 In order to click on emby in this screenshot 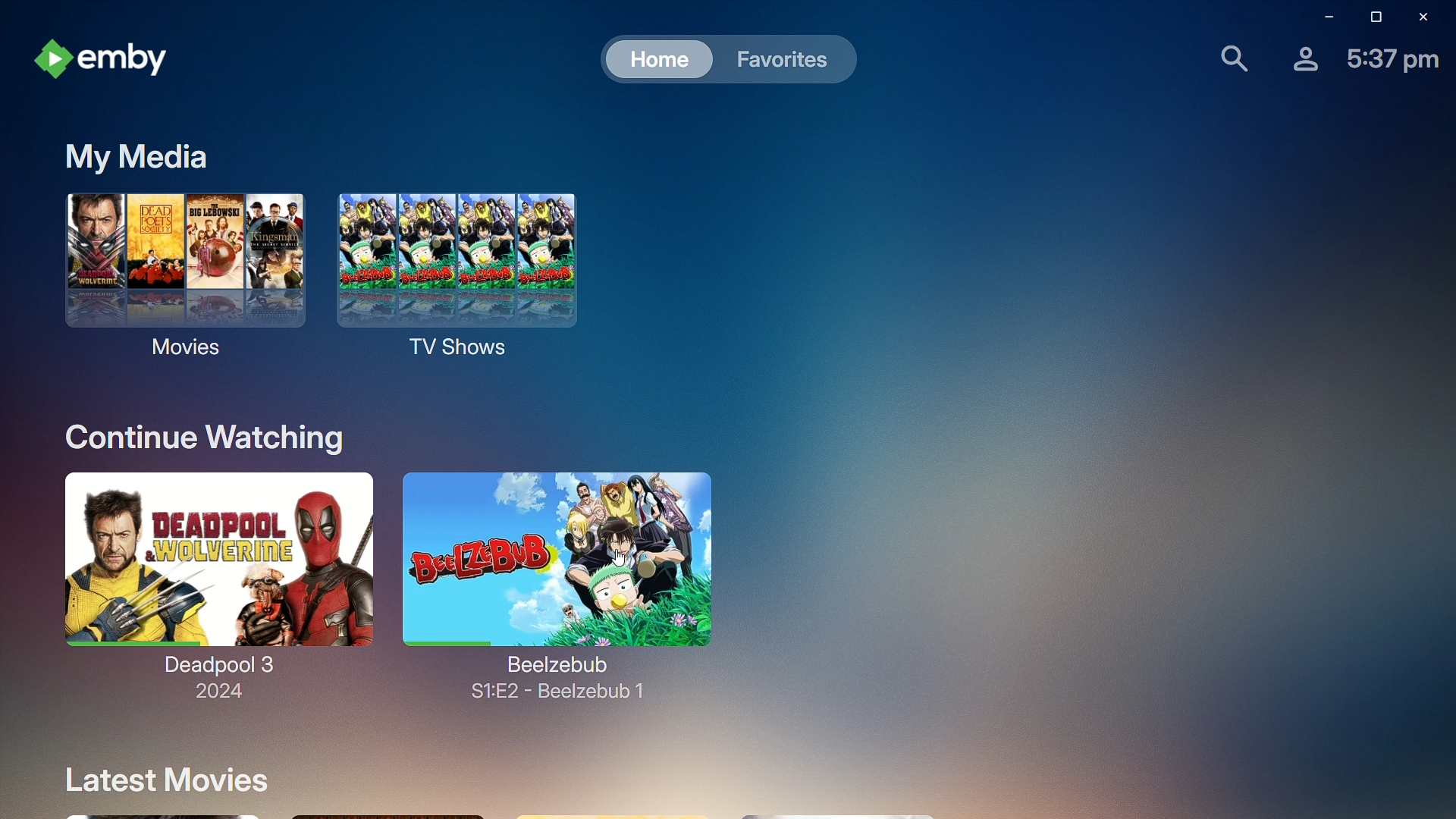, I will do `click(134, 63)`.